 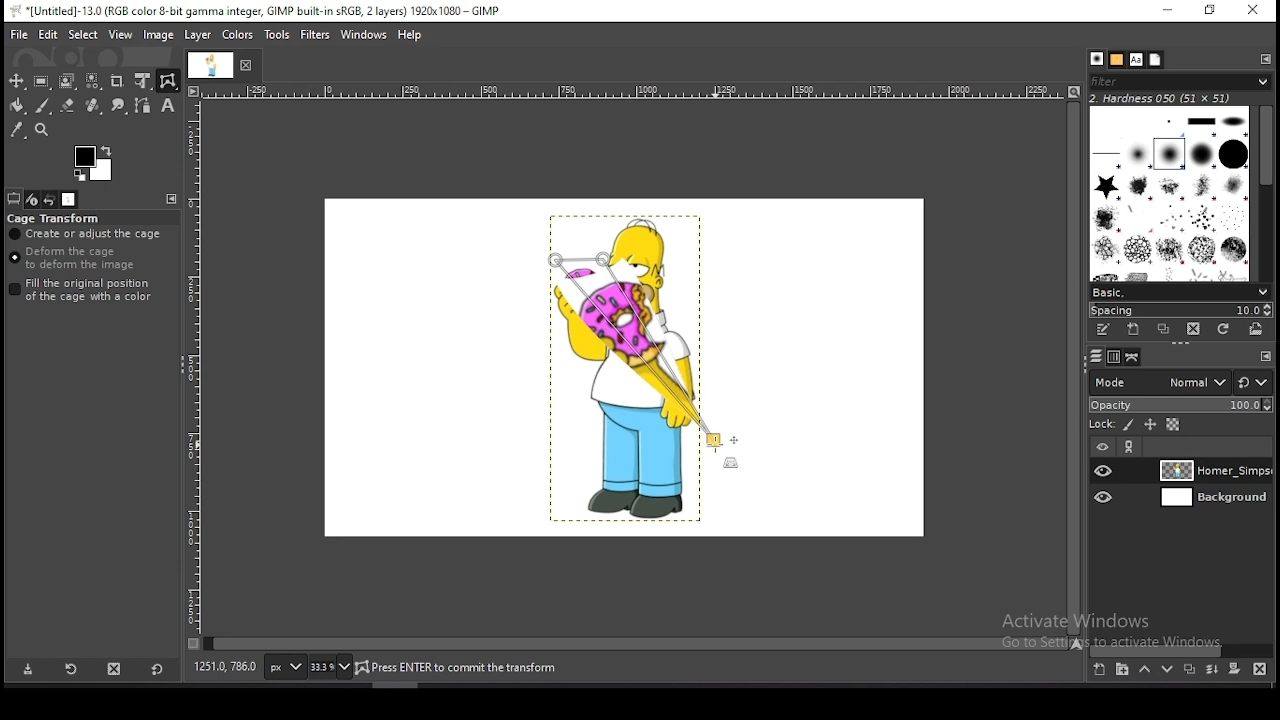 What do you see at coordinates (156, 671) in the screenshot?
I see `reset` at bounding box center [156, 671].